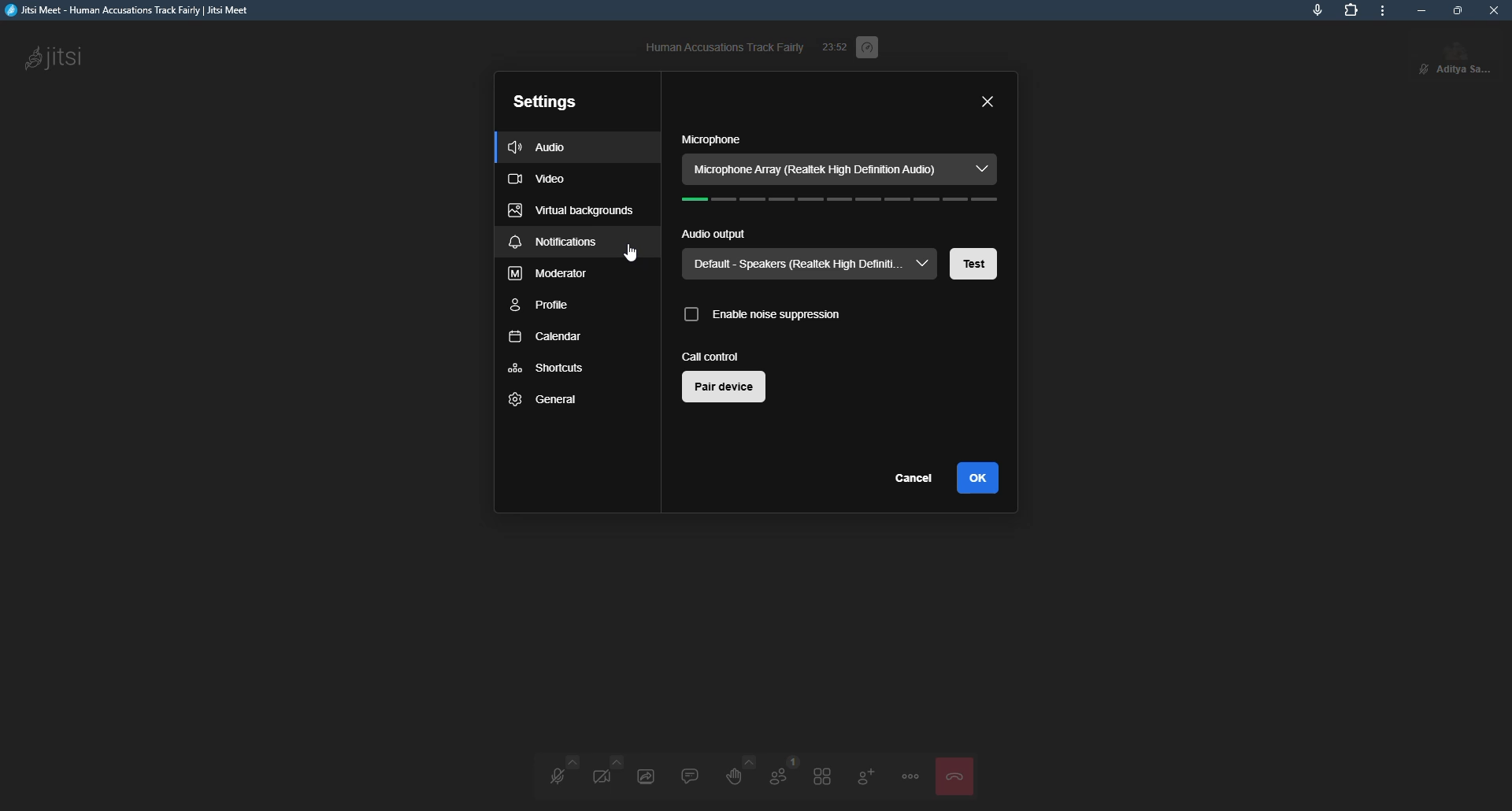 The height and width of the screenshot is (811, 1512). What do you see at coordinates (1351, 10) in the screenshot?
I see `extensions` at bounding box center [1351, 10].